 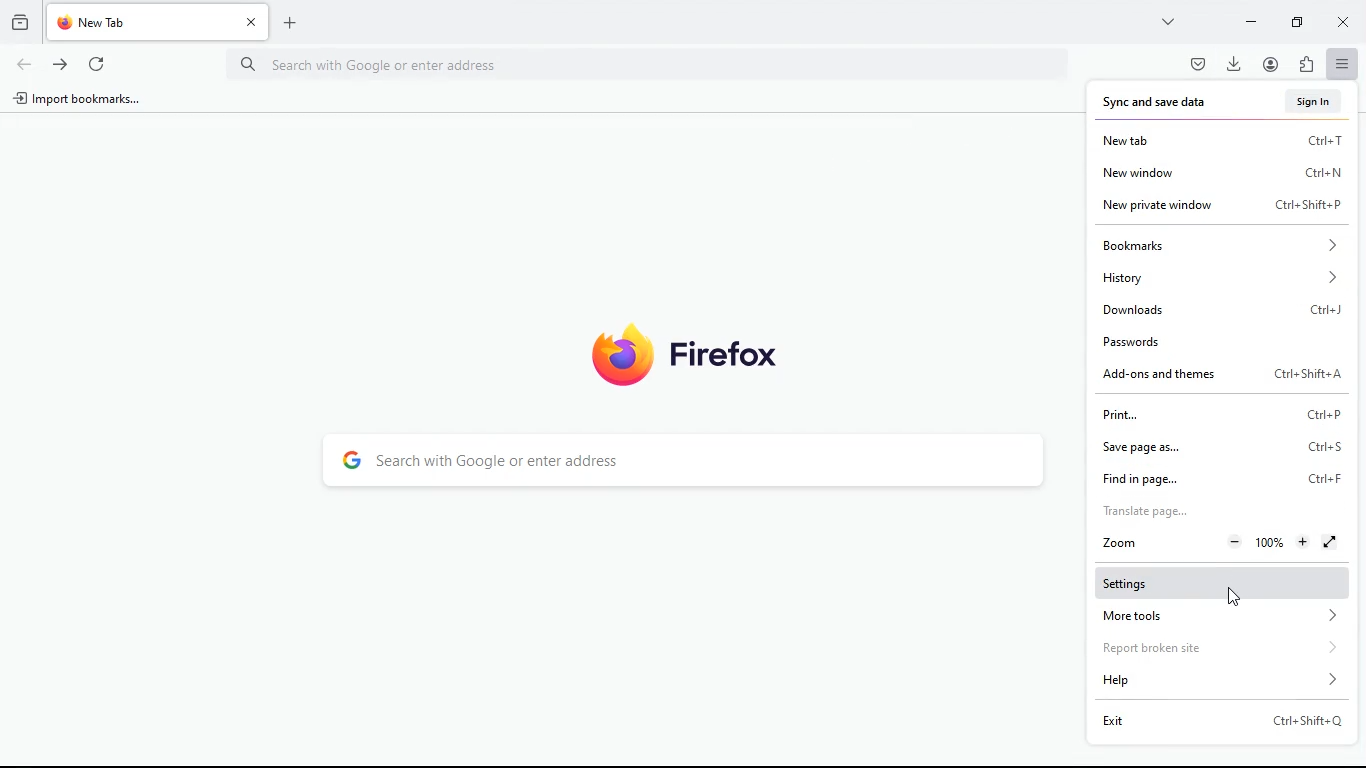 I want to click on pocket, so click(x=1196, y=63).